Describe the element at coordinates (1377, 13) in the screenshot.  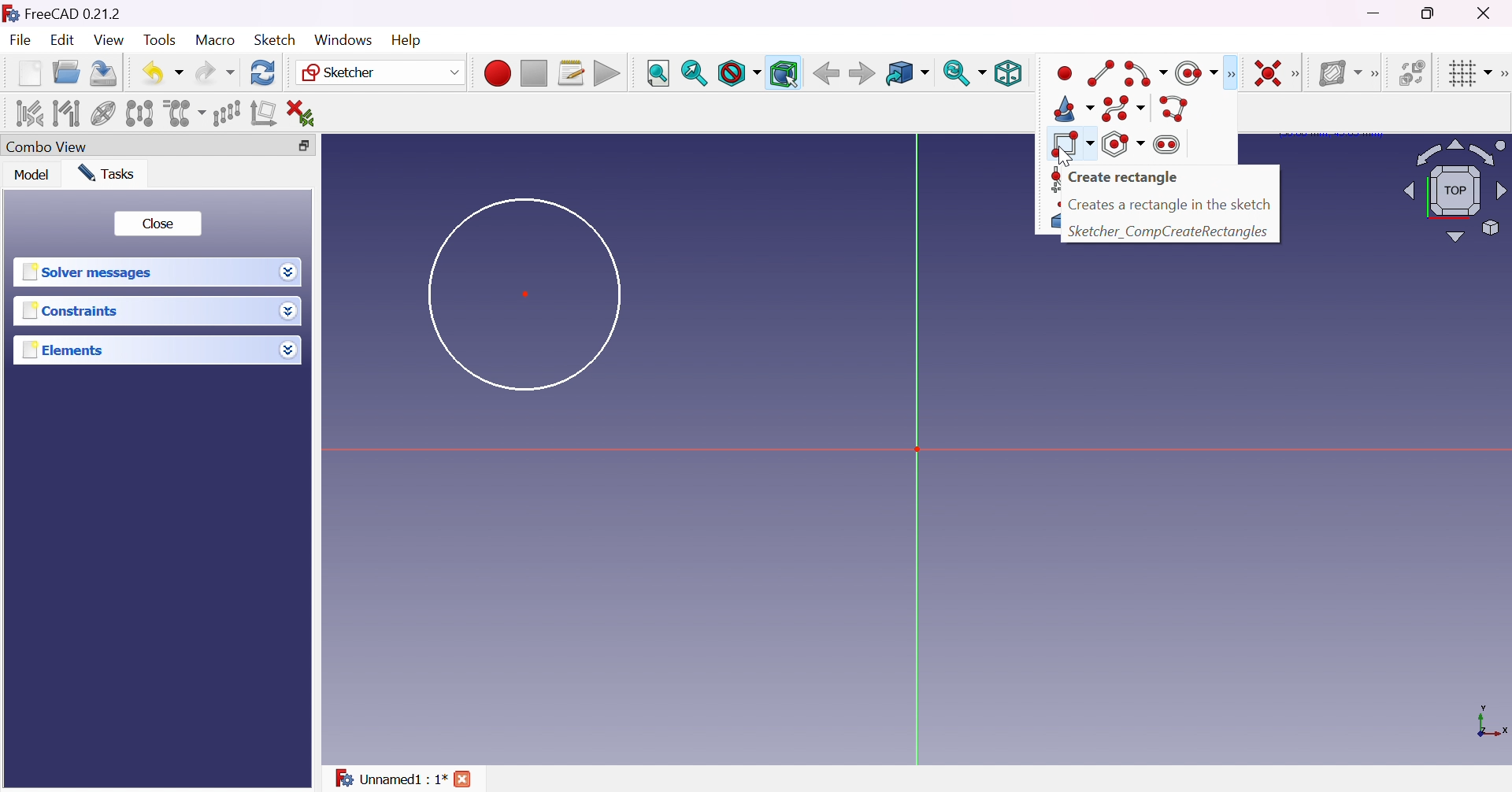
I see `Minimize` at that location.